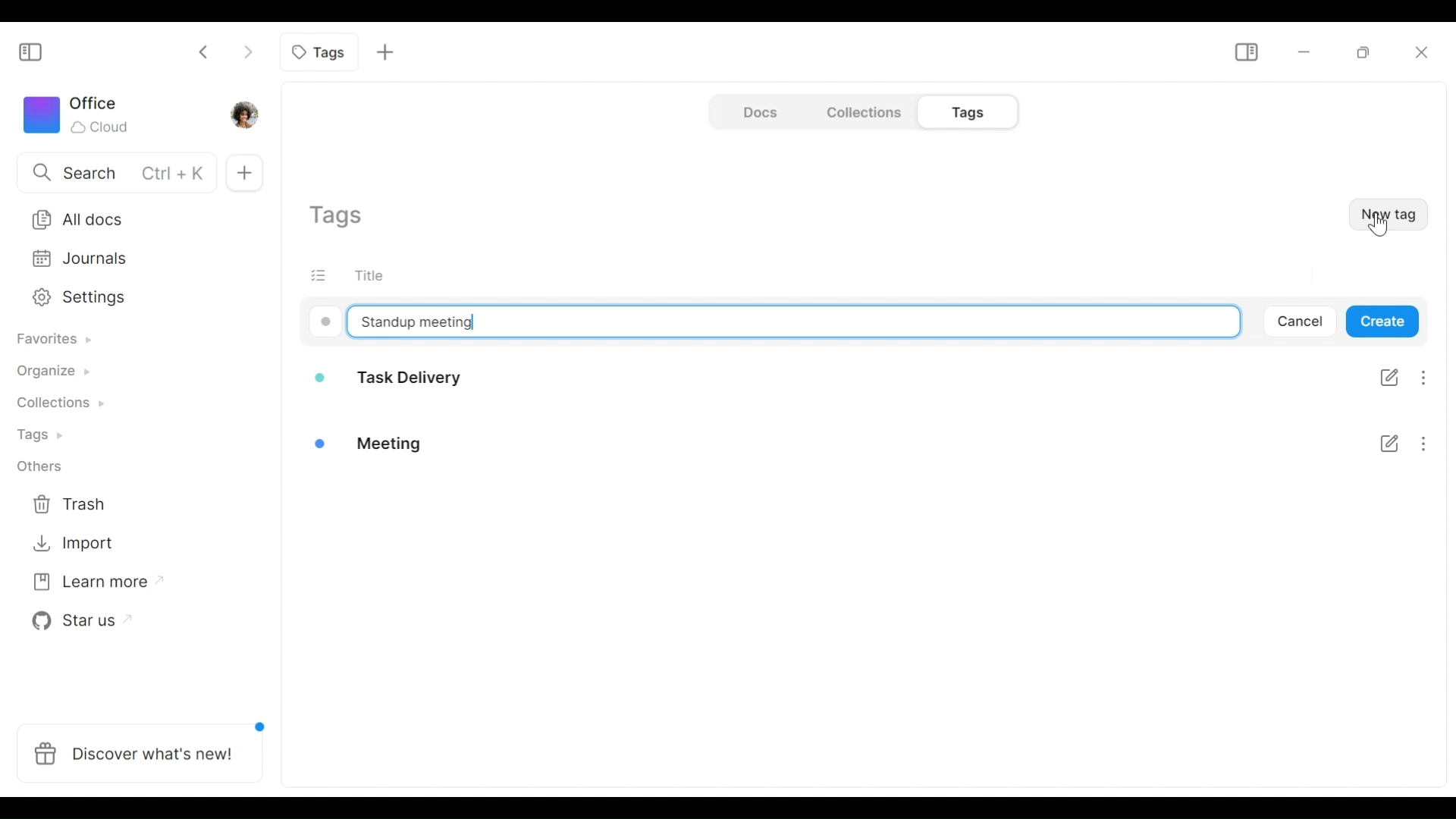 The image size is (1456, 819). What do you see at coordinates (54, 340) in the screenshot?
I see `Favorites` at bounding box center [54, 340].